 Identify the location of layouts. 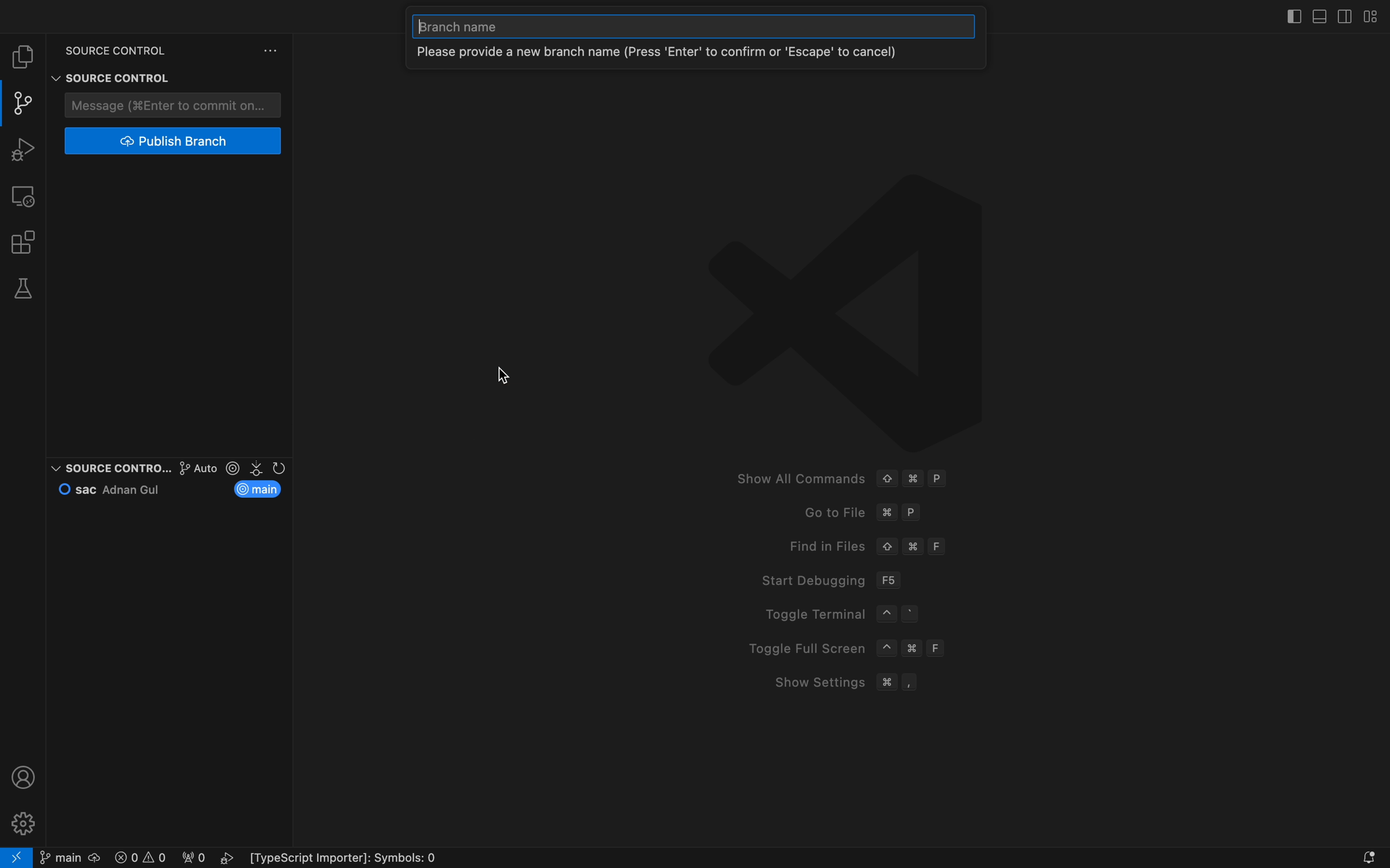
(1368, 16).